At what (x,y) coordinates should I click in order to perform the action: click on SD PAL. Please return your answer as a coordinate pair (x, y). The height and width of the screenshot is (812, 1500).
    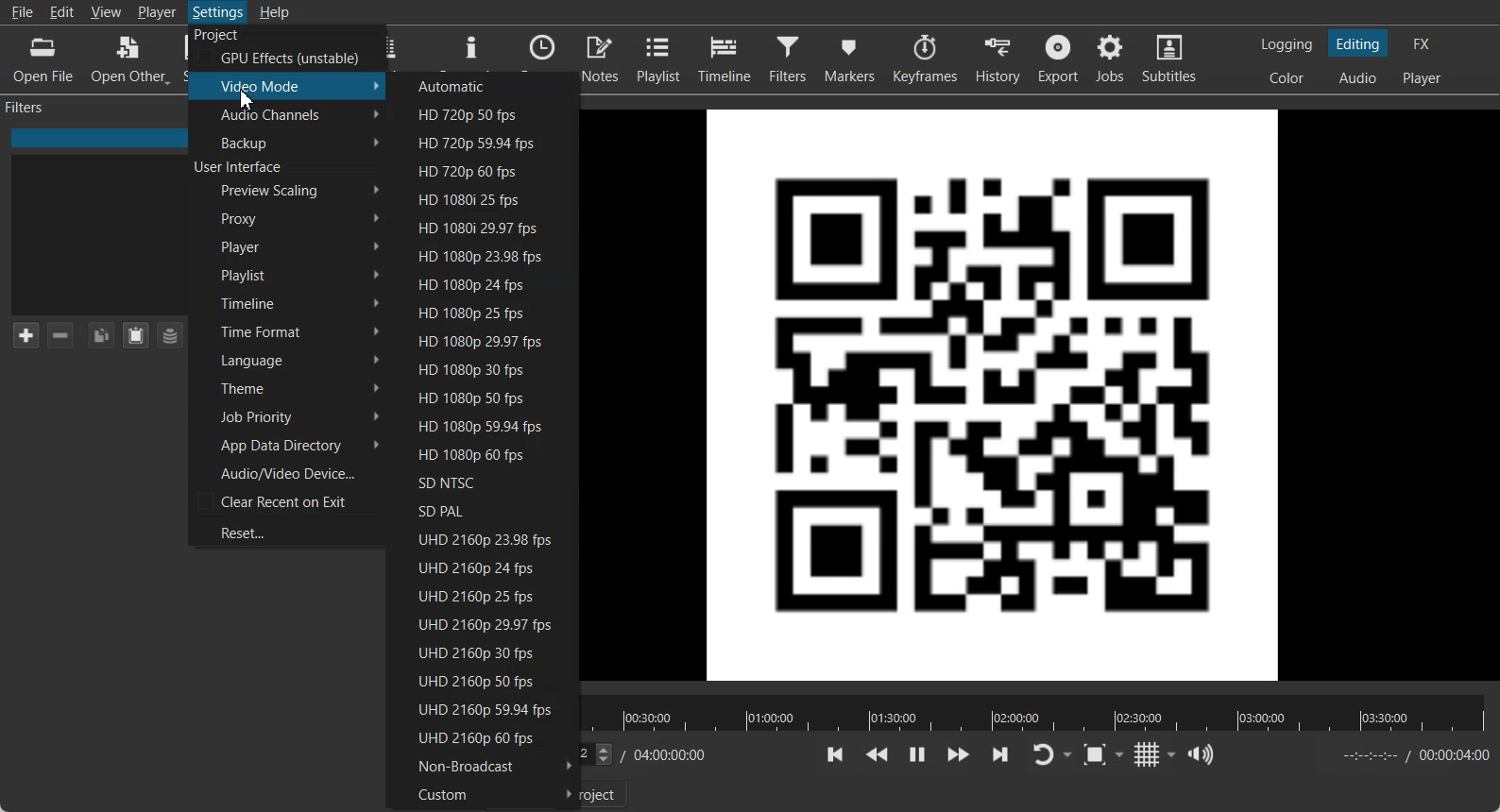
    Looking at the image, I should click on (473, 510).